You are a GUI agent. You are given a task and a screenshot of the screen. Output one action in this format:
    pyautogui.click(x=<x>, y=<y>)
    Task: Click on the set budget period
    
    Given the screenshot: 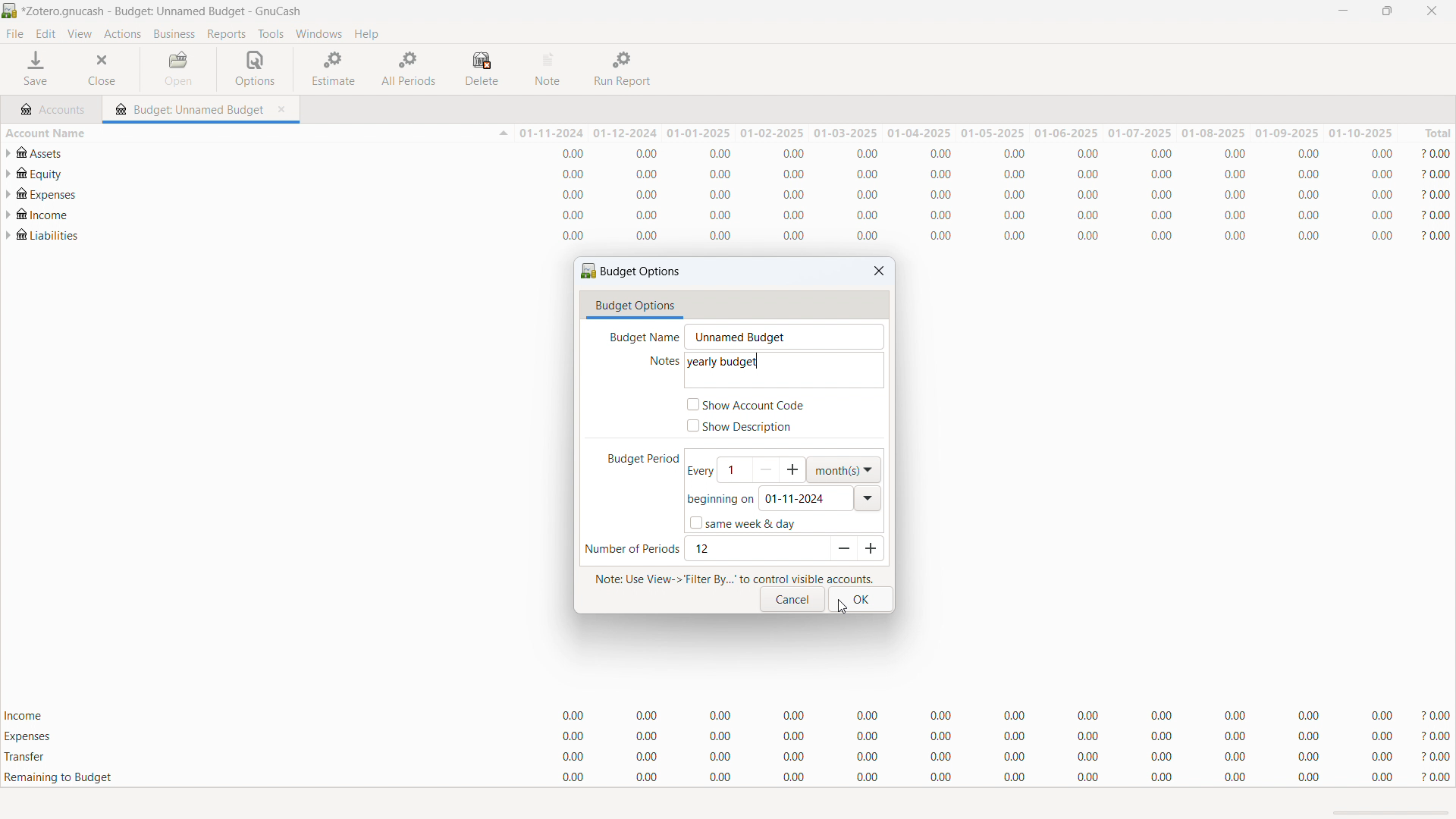 What is the action you would take?
    pyautogui.click(x=761, y=469)
    